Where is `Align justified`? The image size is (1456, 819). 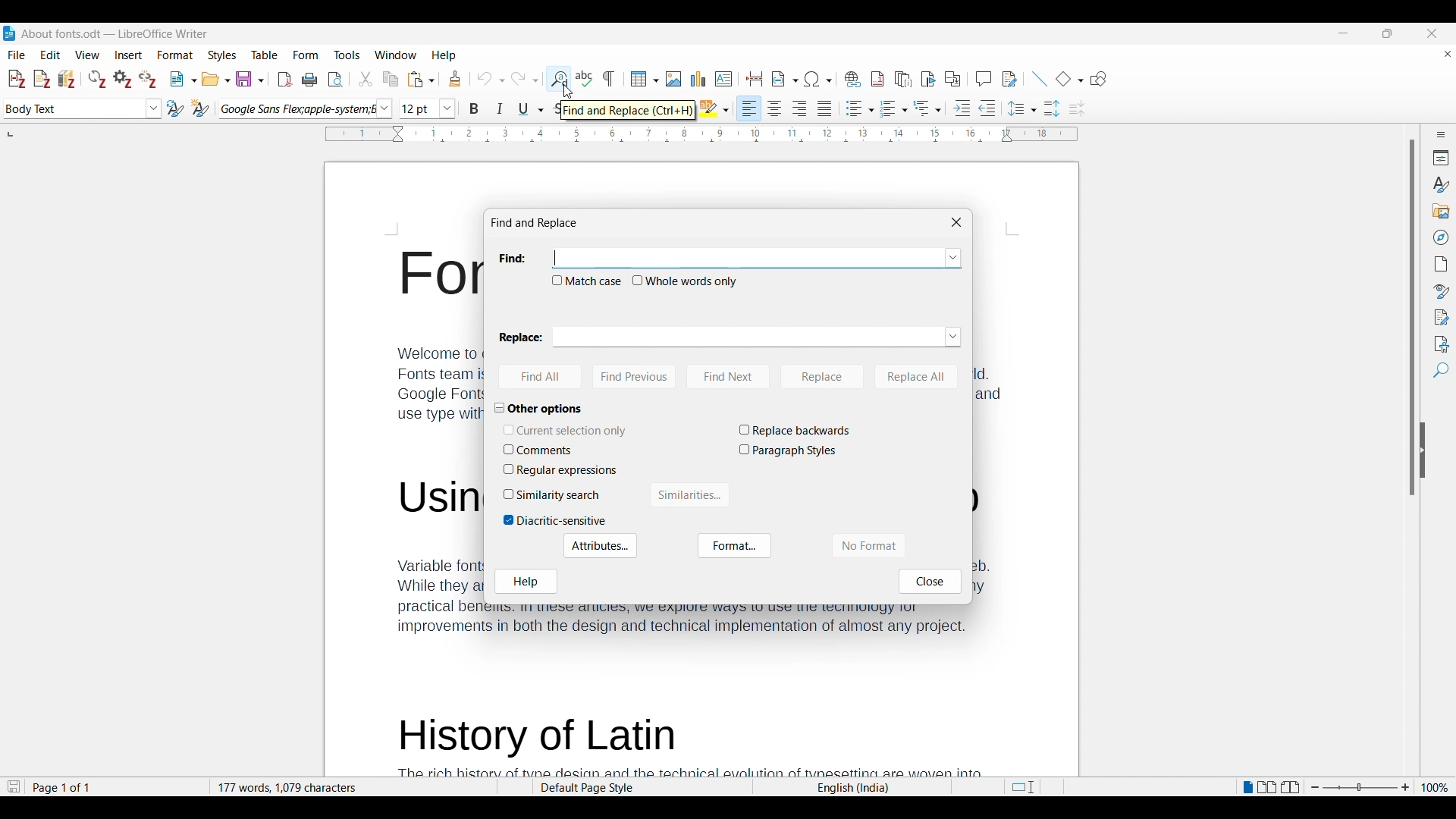 Align justified is located at coordinates (825, 108).